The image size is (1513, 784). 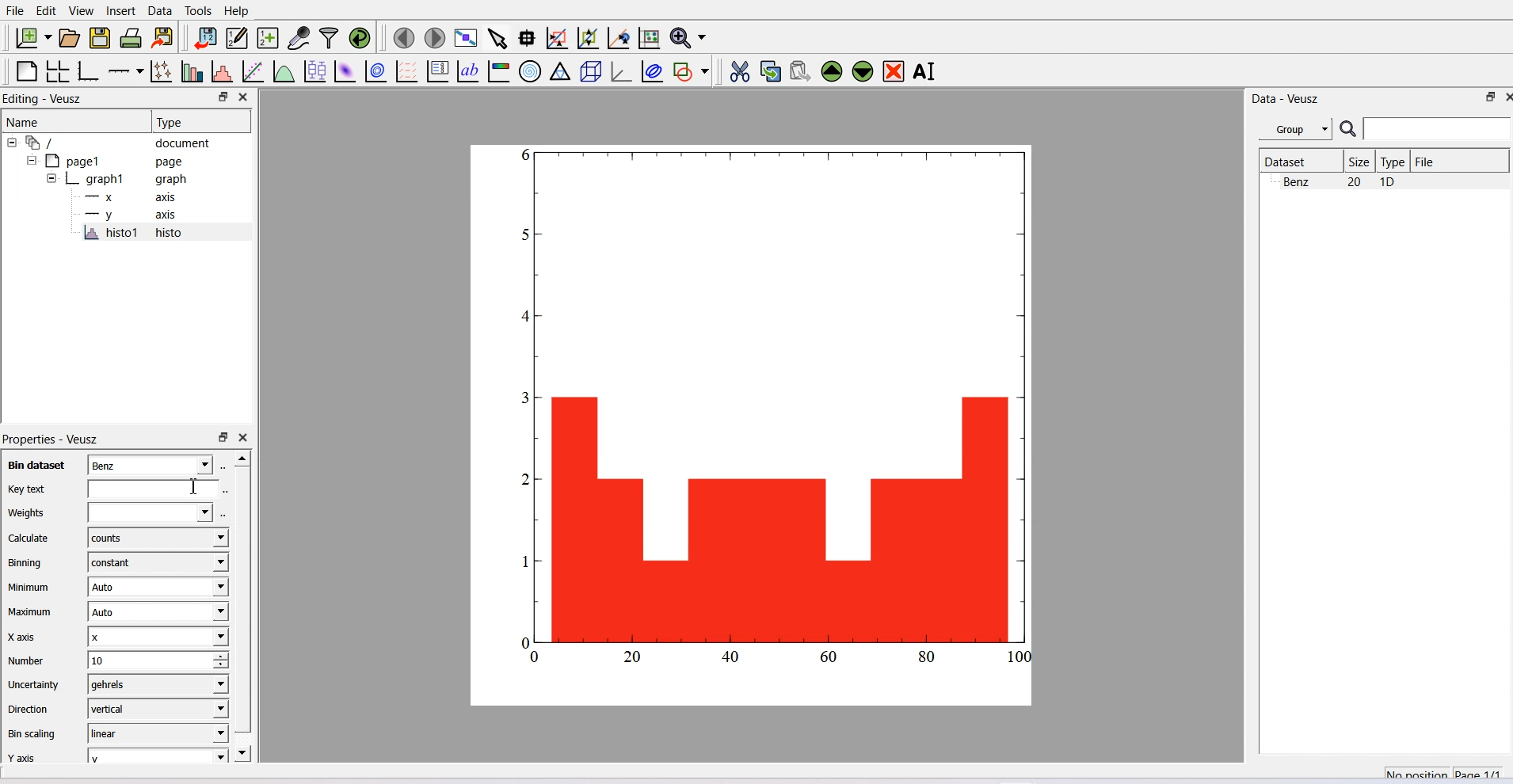 What do you see at coordinates (74, 121) in the screenshot?
I see `Name` at bounding box center [74, 121].